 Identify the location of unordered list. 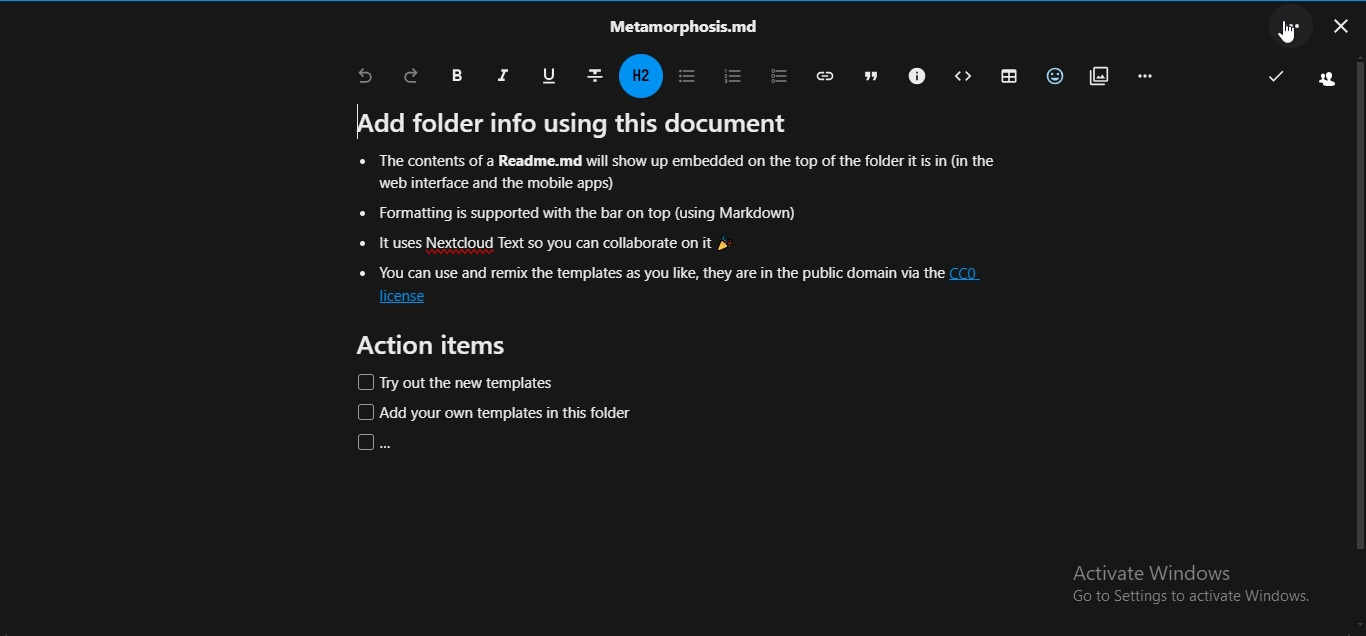
(688, 75).